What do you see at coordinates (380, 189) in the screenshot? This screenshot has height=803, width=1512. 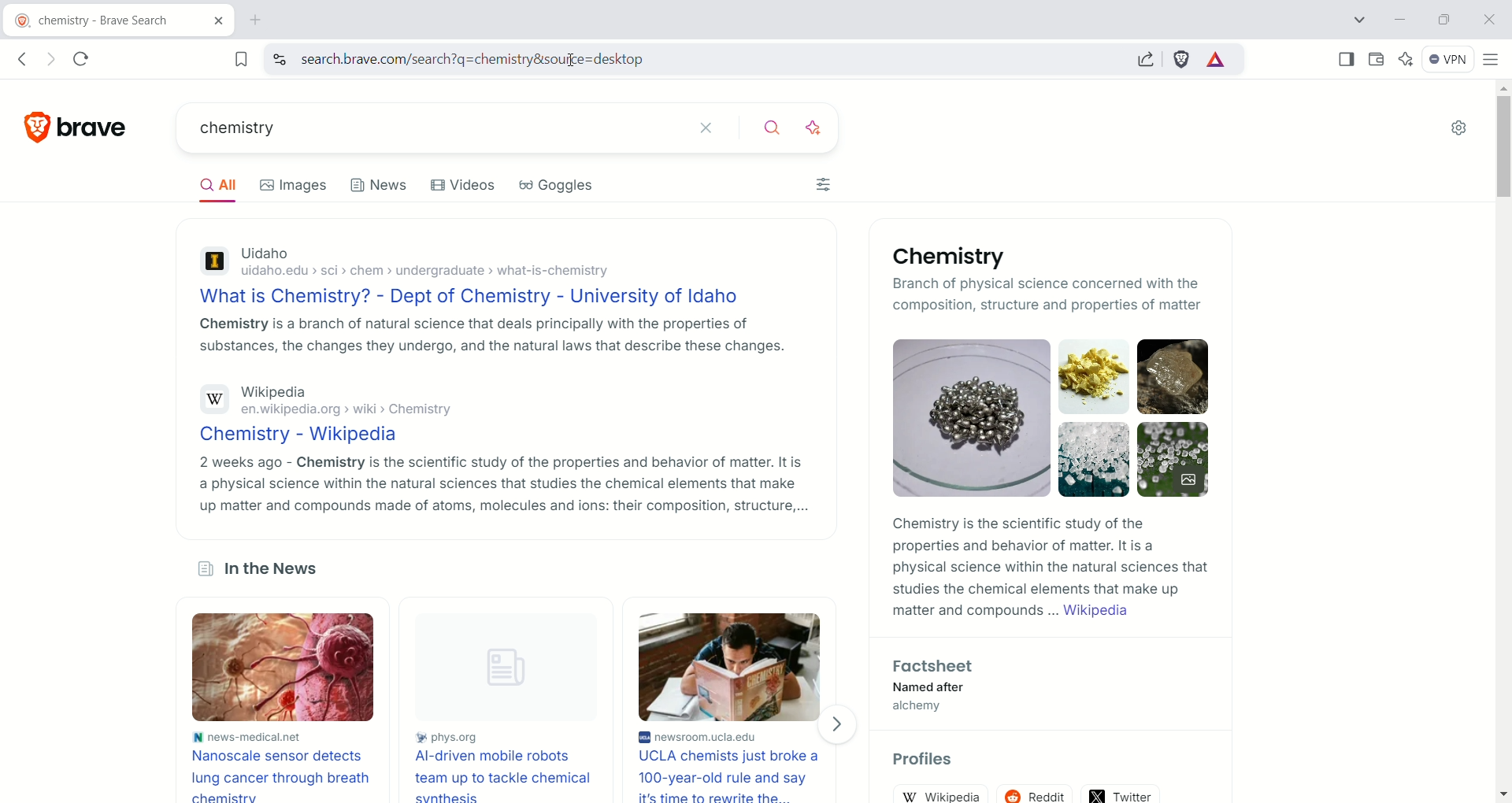 I see `News` at bounding box center [380, 189].